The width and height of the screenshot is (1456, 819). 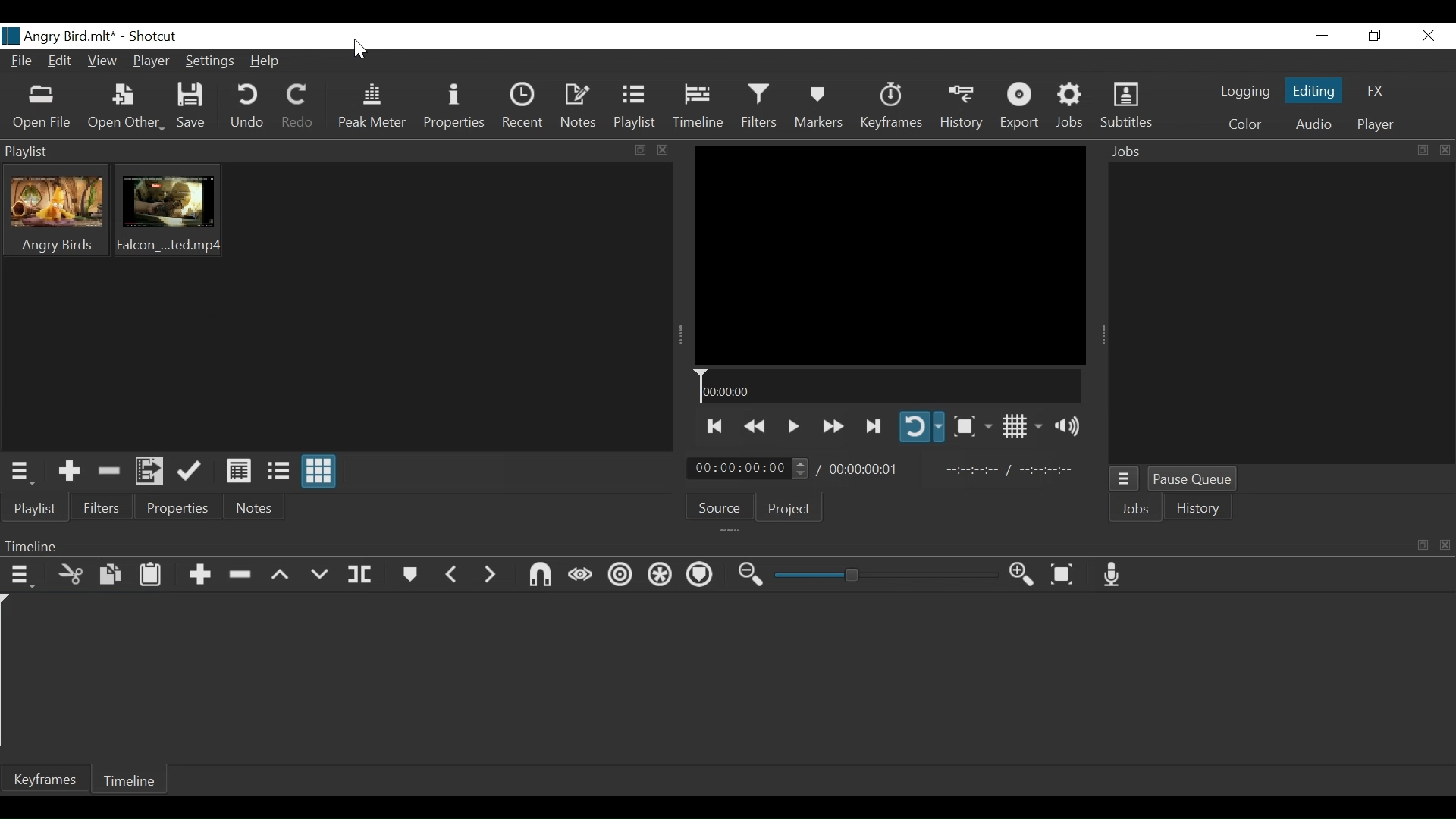 I want to click on Copy, so click(x=111, y=576).